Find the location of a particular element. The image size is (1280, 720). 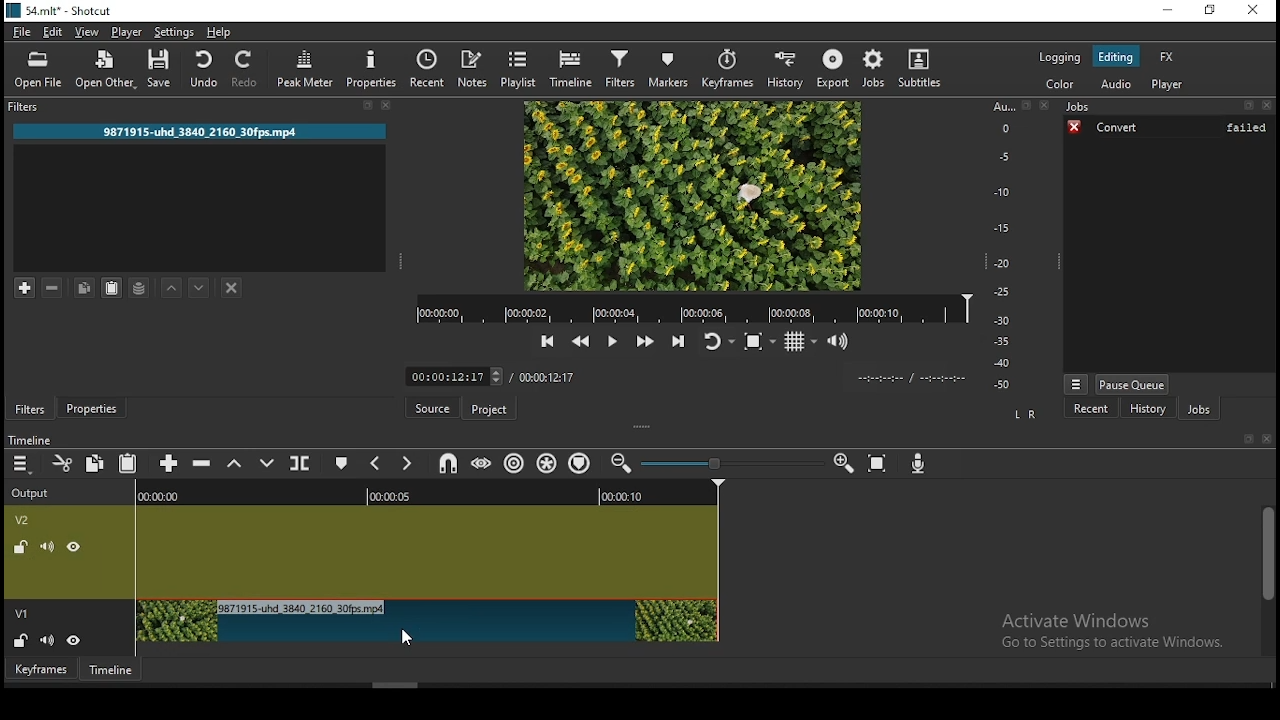

restore is located at coordinates (1211, 10).